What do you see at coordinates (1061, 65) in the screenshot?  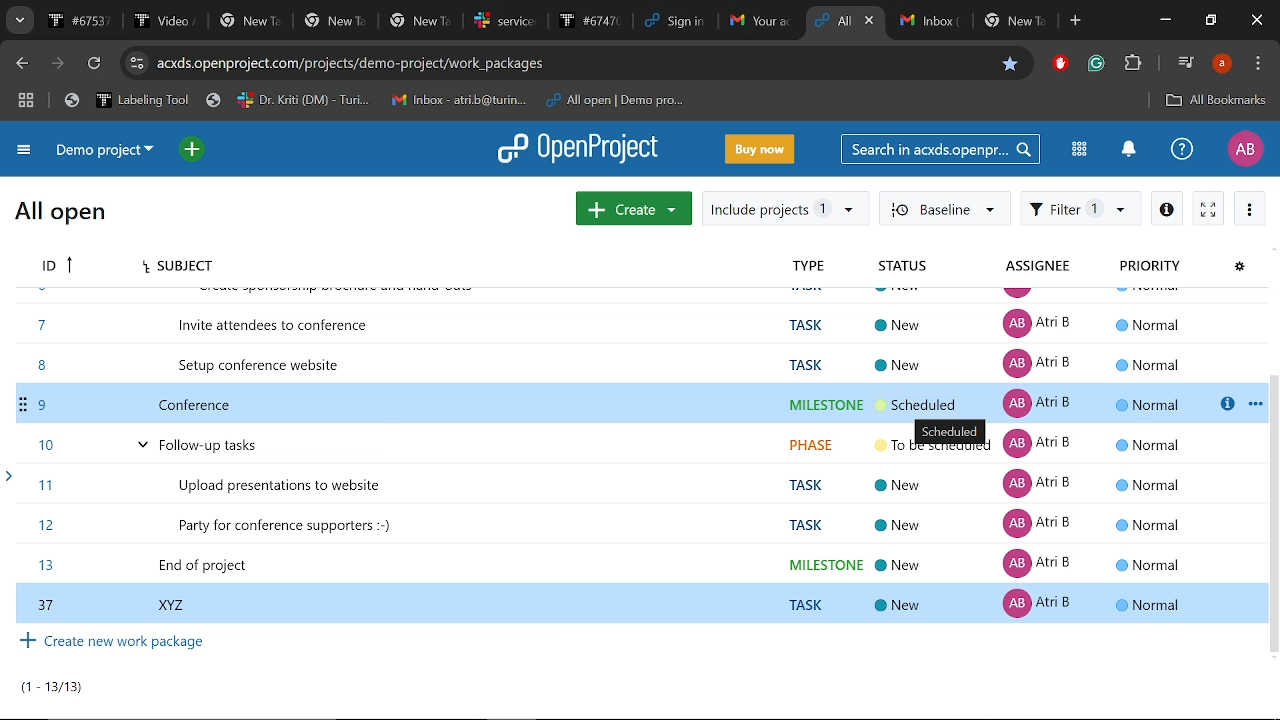 I see `Add block` at bounding box center [1061, 65].